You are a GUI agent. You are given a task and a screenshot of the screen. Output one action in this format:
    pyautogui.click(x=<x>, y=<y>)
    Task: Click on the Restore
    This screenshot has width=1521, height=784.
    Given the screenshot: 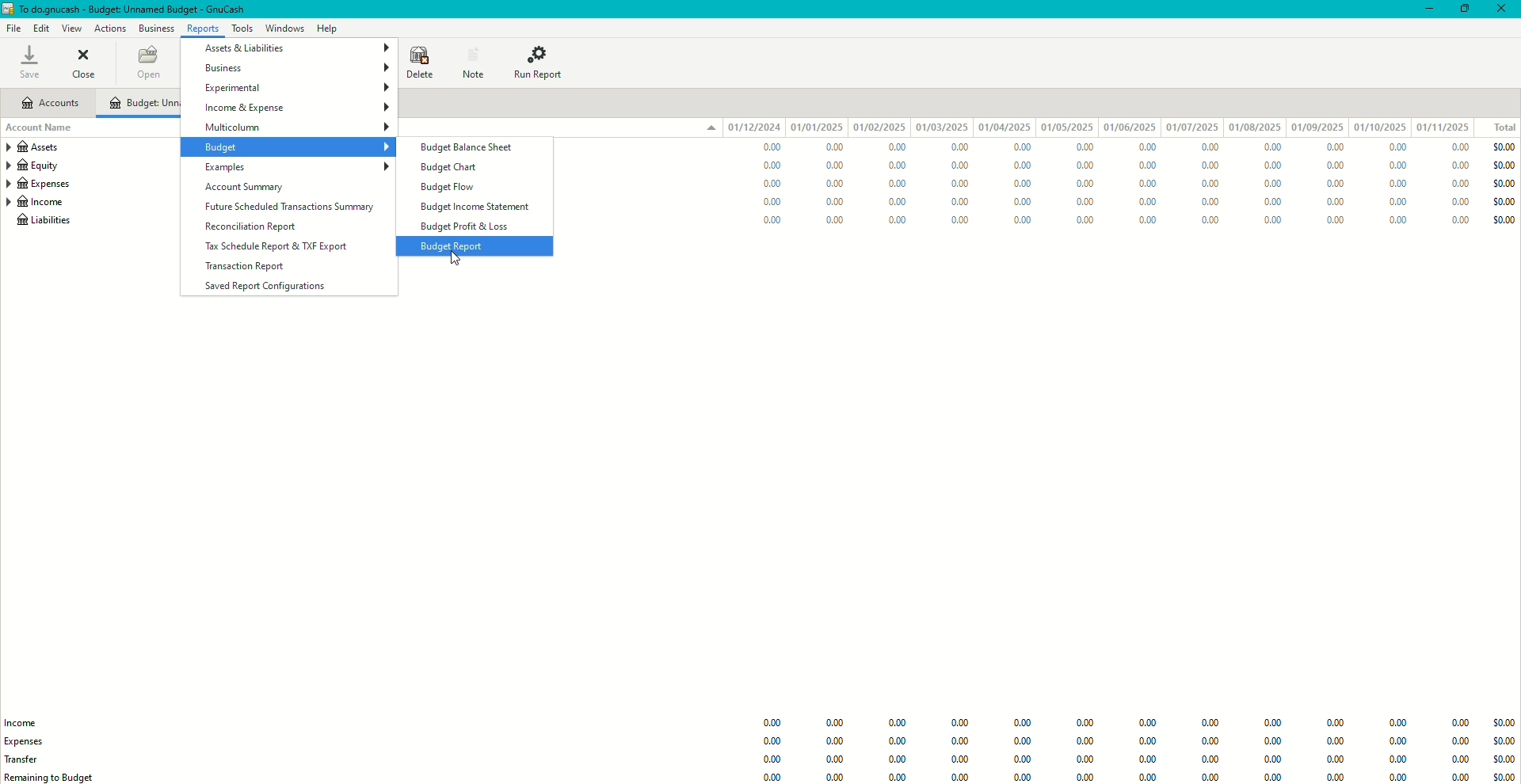 What is the action you would take?
    pyautogui.click(x=1466, y=10)
    